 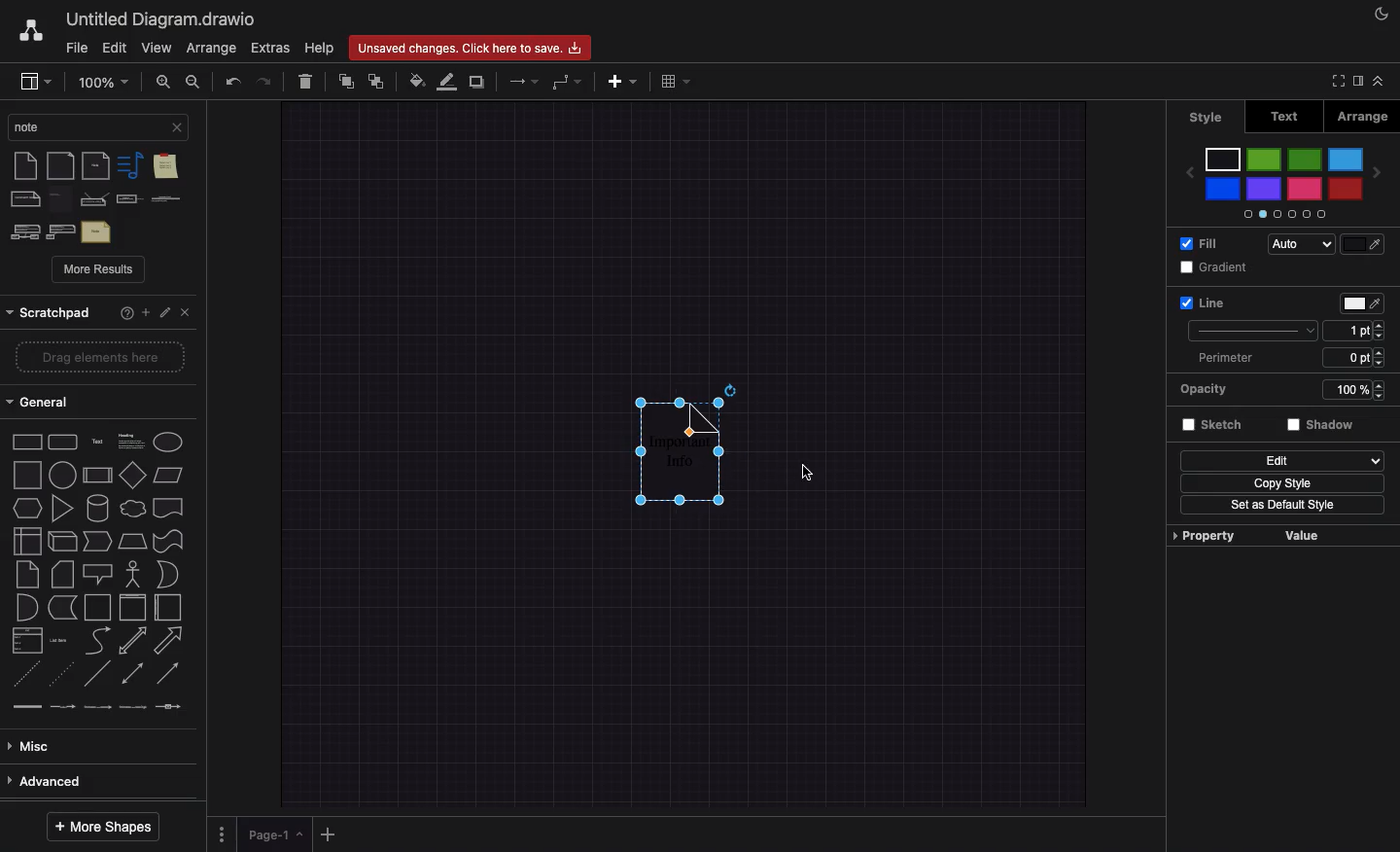 What do you see at coordinates (222, 835) in the screenshot?
I see `Options` at bounding box center [222, 835].